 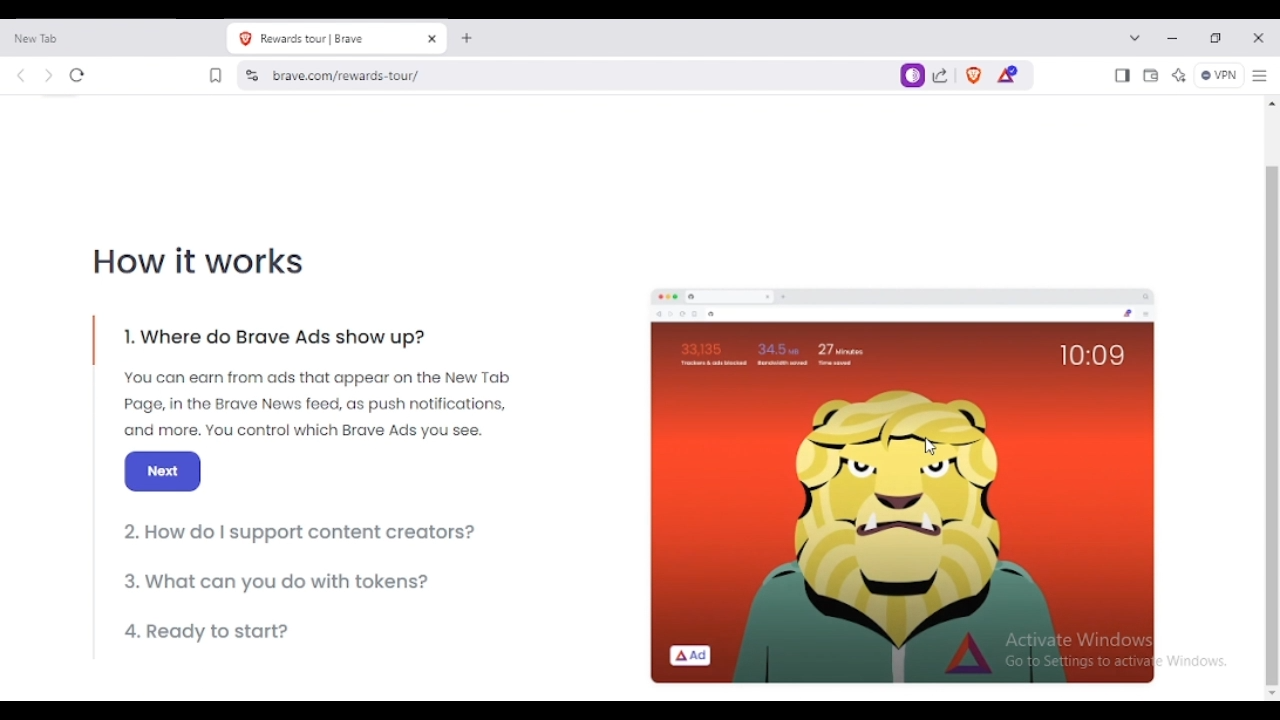 What do you see at coordinates (903, 491) in the screenshot?
I see `brave ads` at bounding box center [903, 491].